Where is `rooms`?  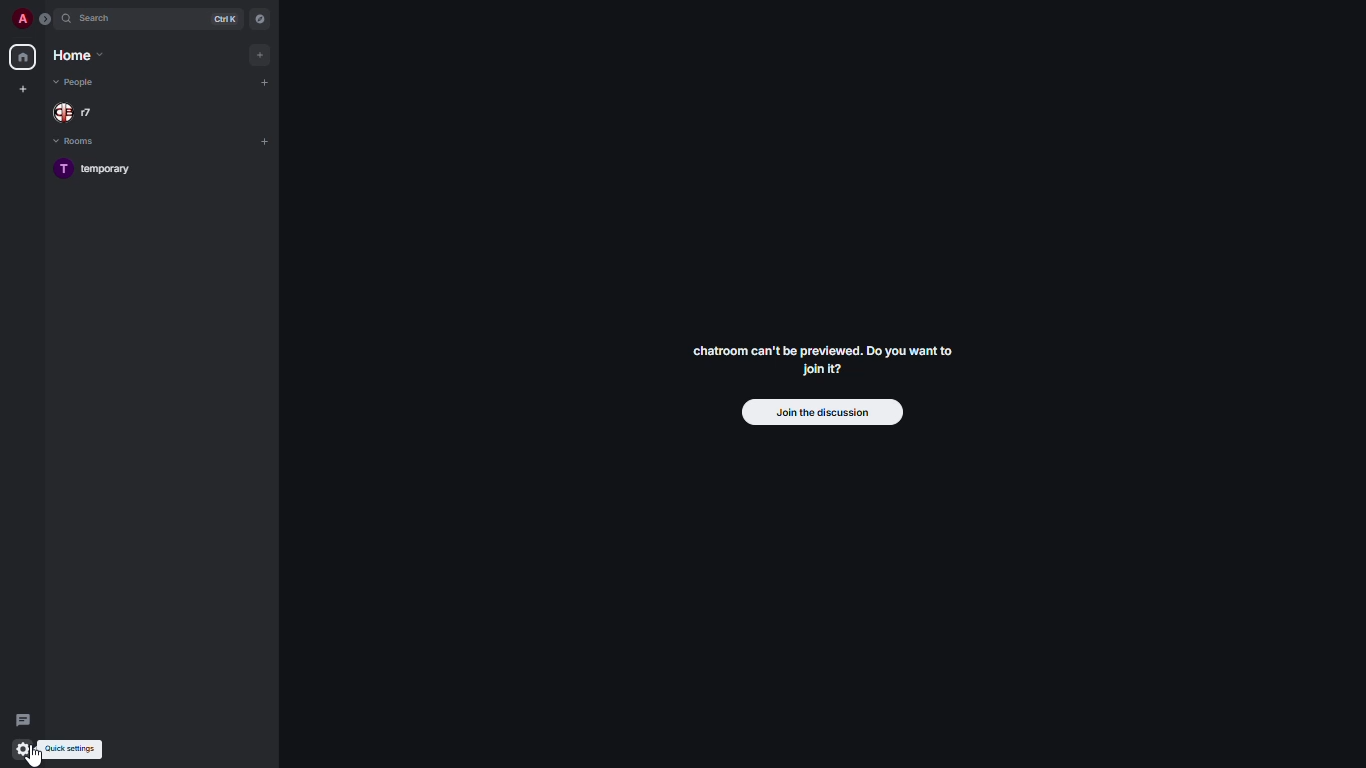
rooms is located at coordinates (80, 140).